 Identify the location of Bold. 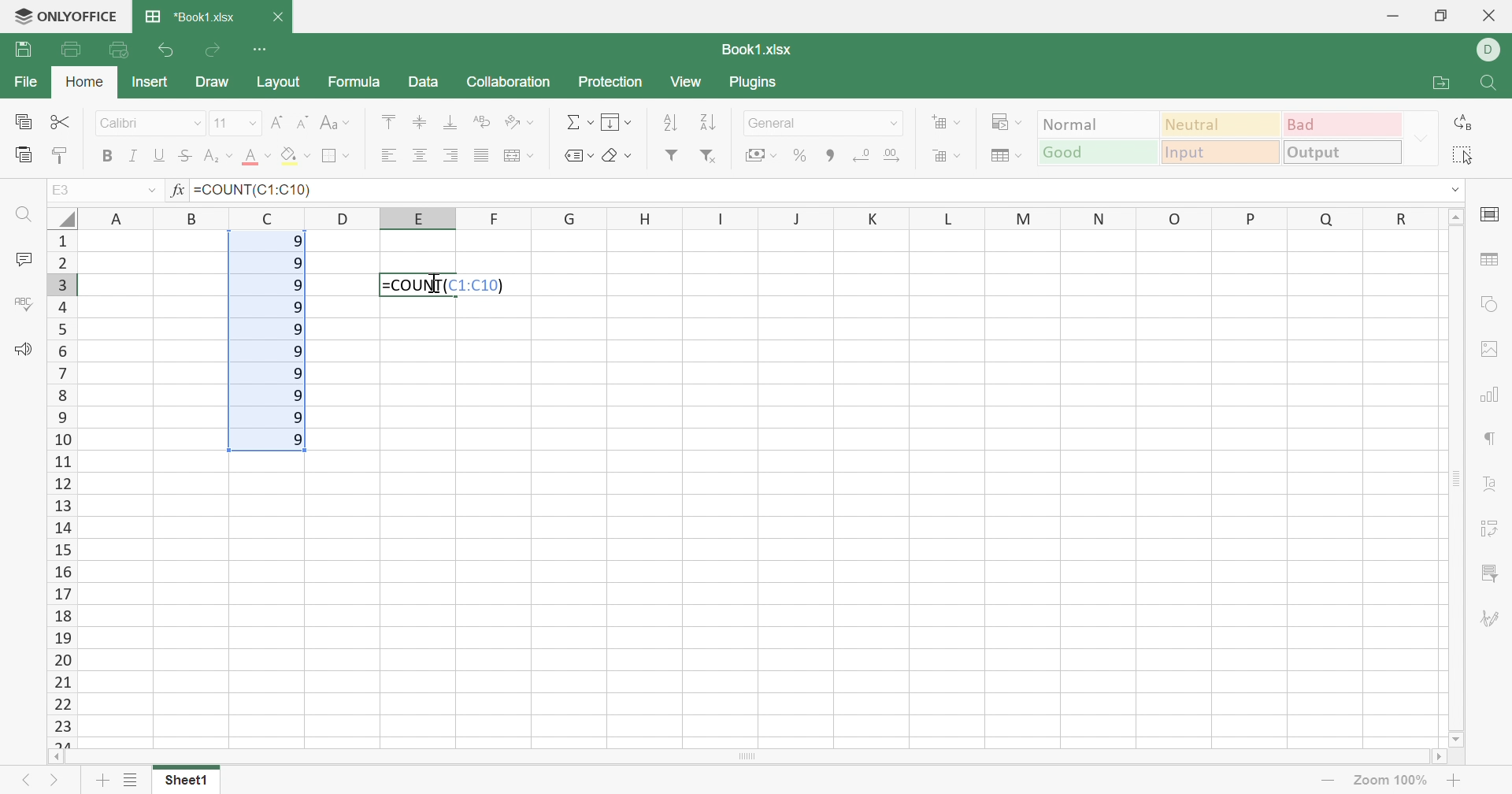
(108, 156).